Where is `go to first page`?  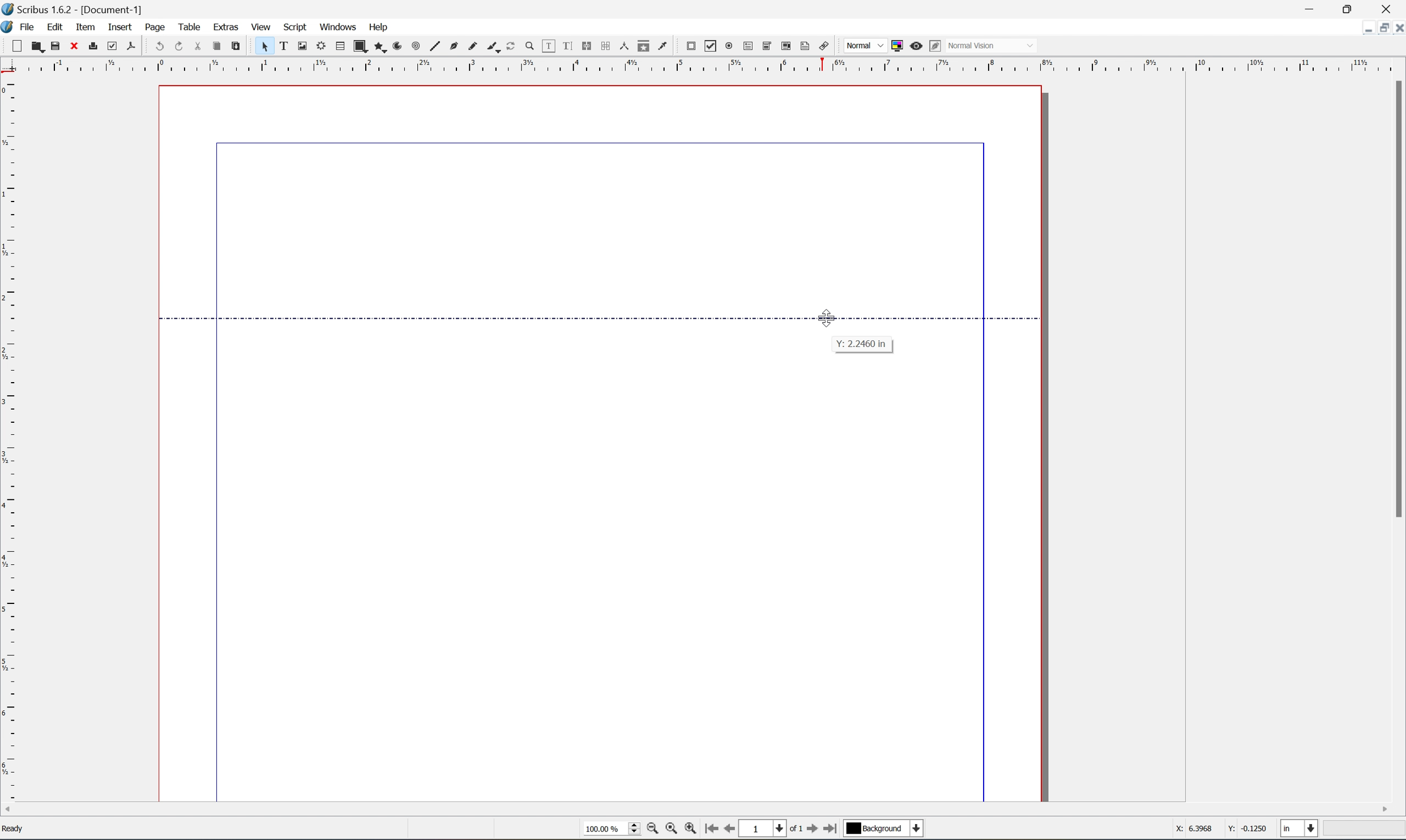
go to first page is located at coordinates (713, 830).